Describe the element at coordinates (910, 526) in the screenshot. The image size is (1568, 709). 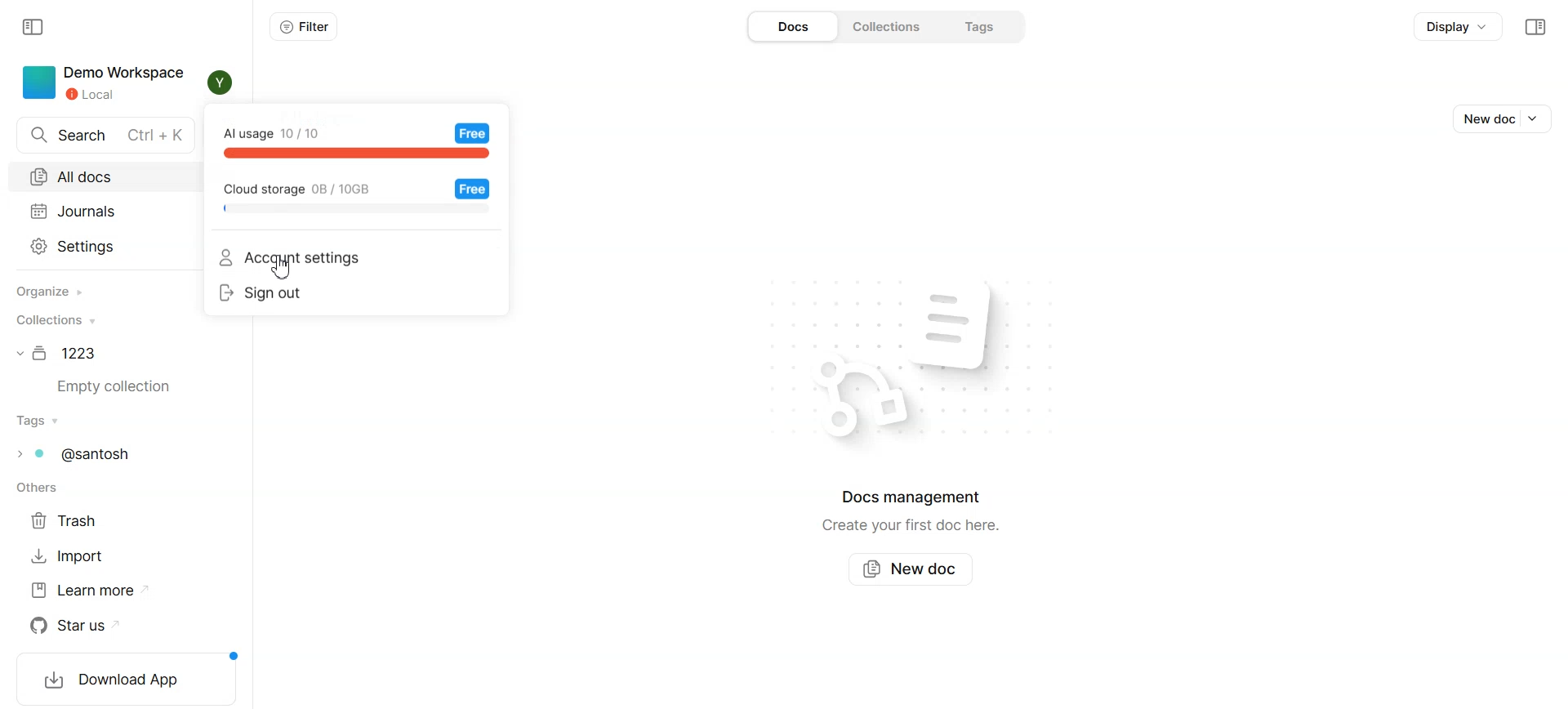
I see `Create your first doc here.` at that location.